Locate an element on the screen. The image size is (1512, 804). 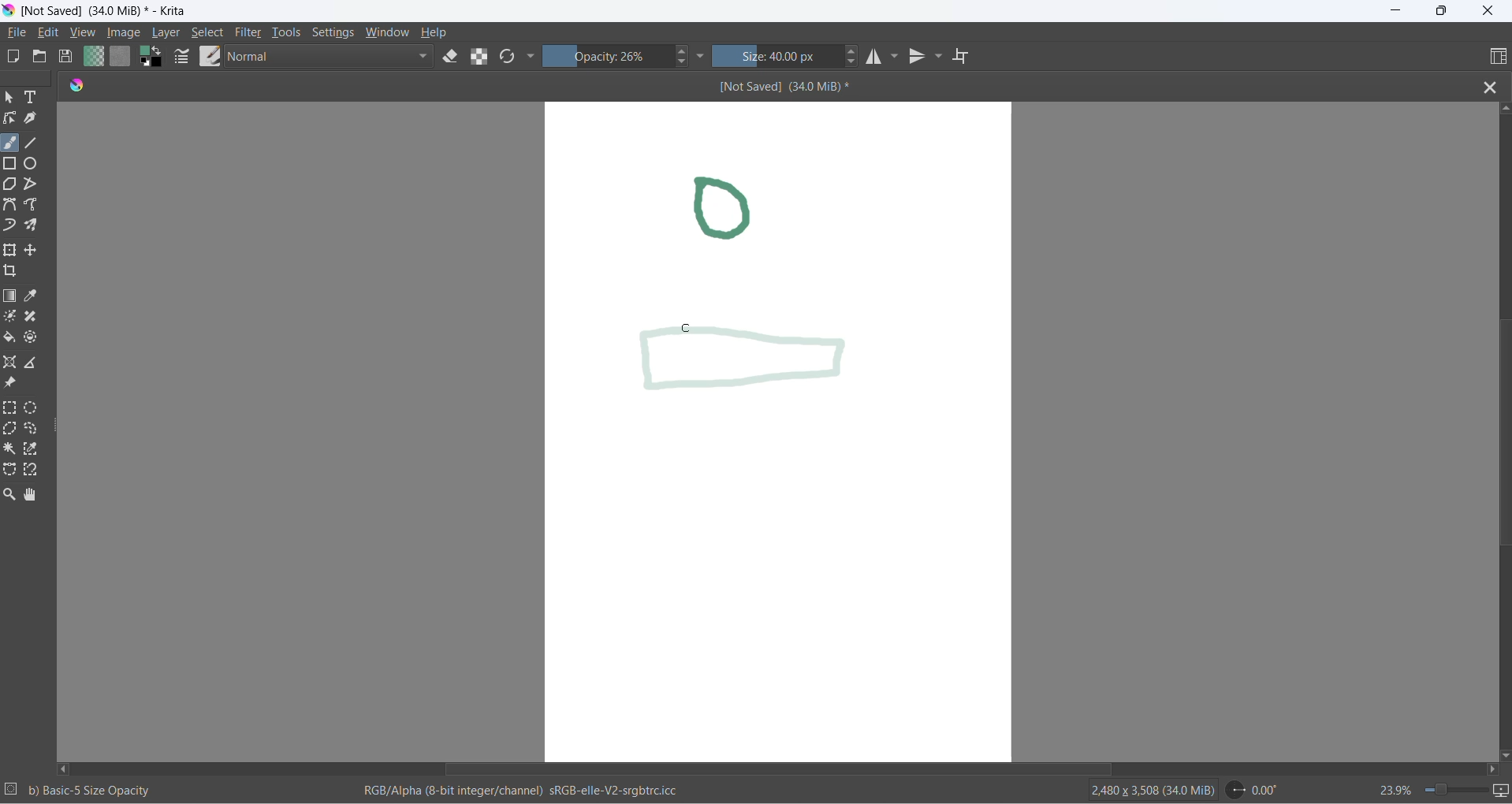
rectangle tool is located at coordinates (13, 164).